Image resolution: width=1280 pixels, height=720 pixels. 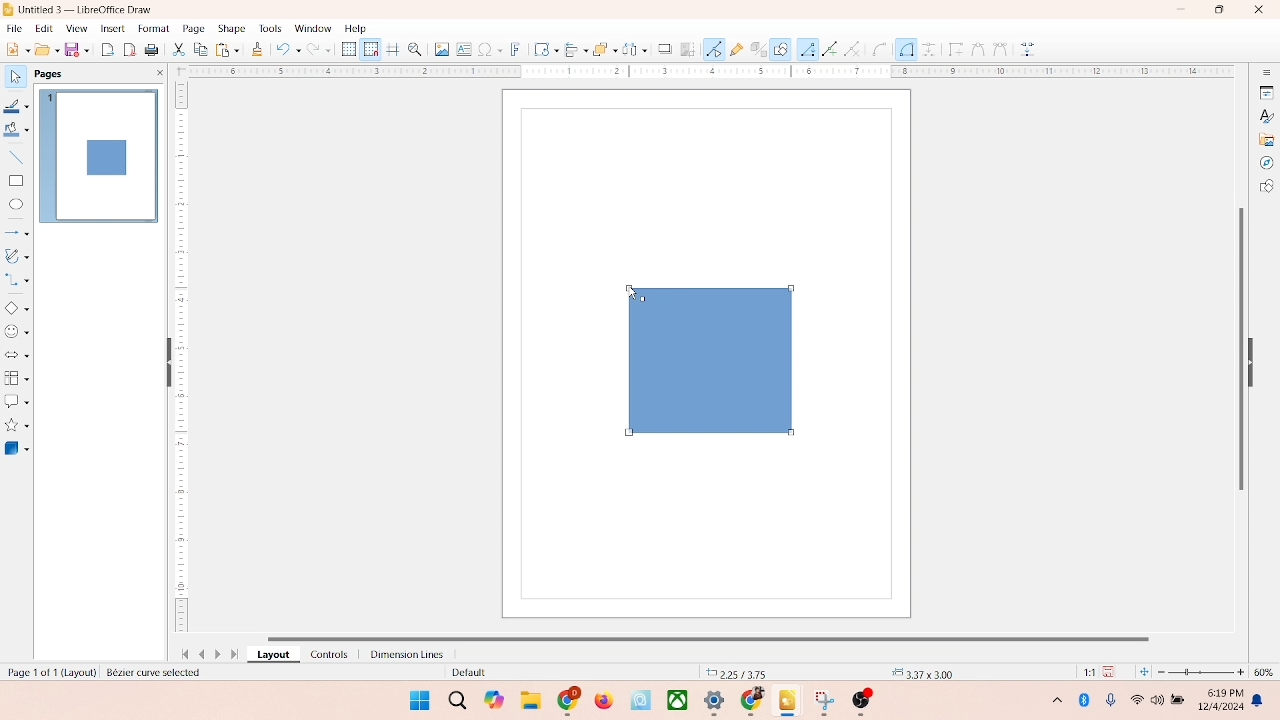 What do you see at coordinates (753, 50) in the screenshot?
I see `toggle extrusion` at bounding box center [753, 50].